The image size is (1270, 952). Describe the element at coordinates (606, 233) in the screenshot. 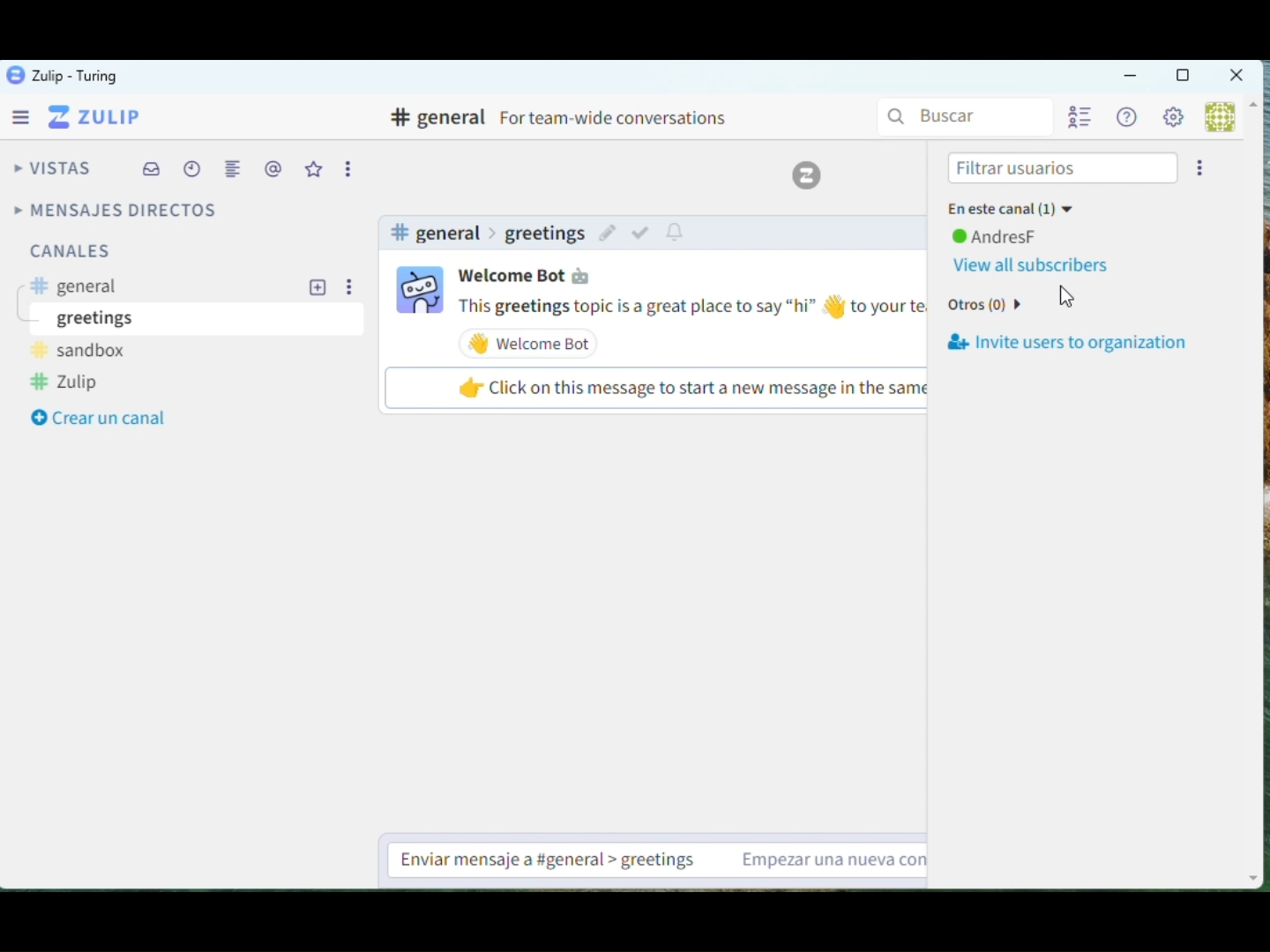

I see `edit` at that location.